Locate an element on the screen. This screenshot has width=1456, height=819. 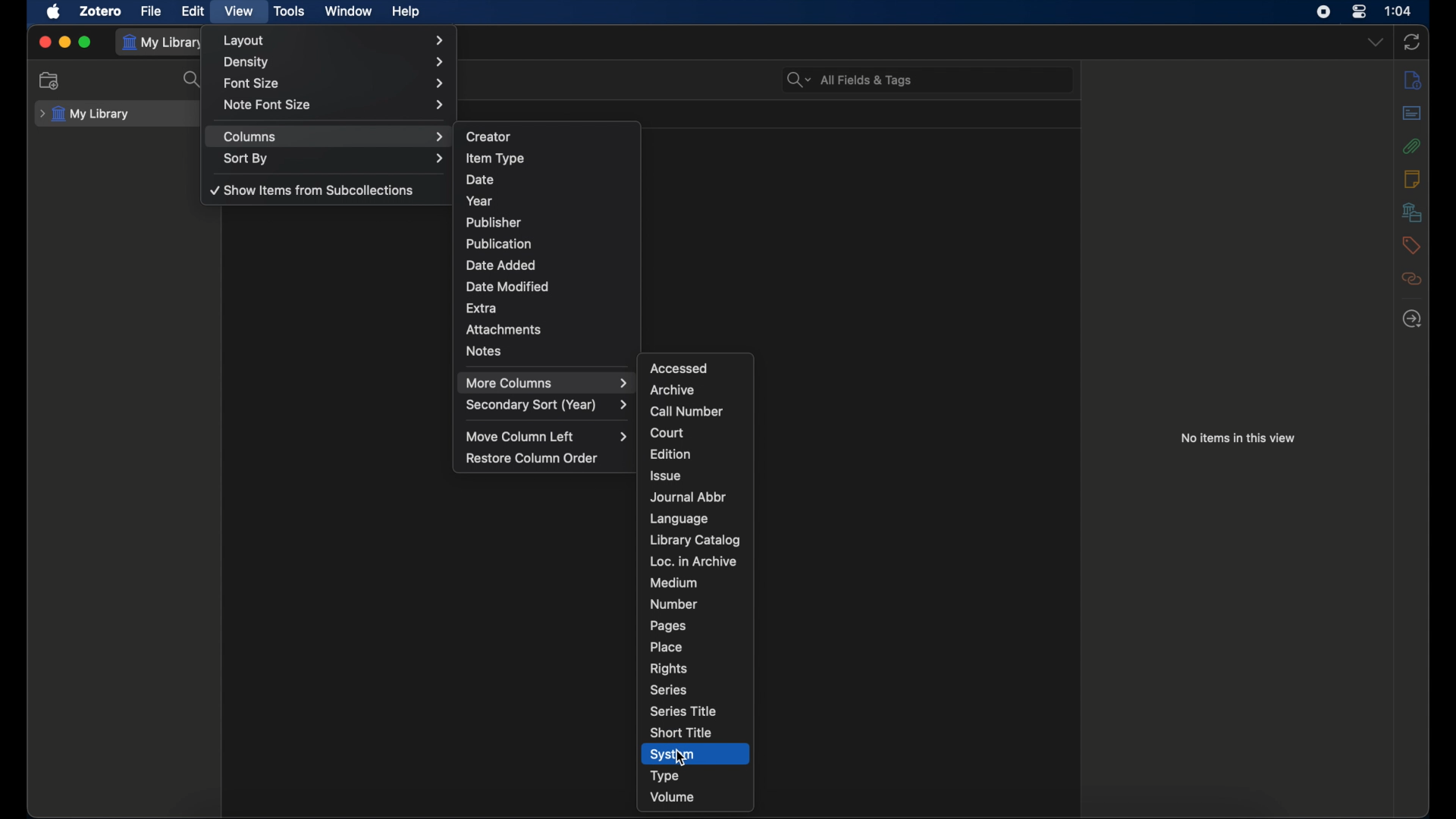
search is located at coordinates (193, 80).